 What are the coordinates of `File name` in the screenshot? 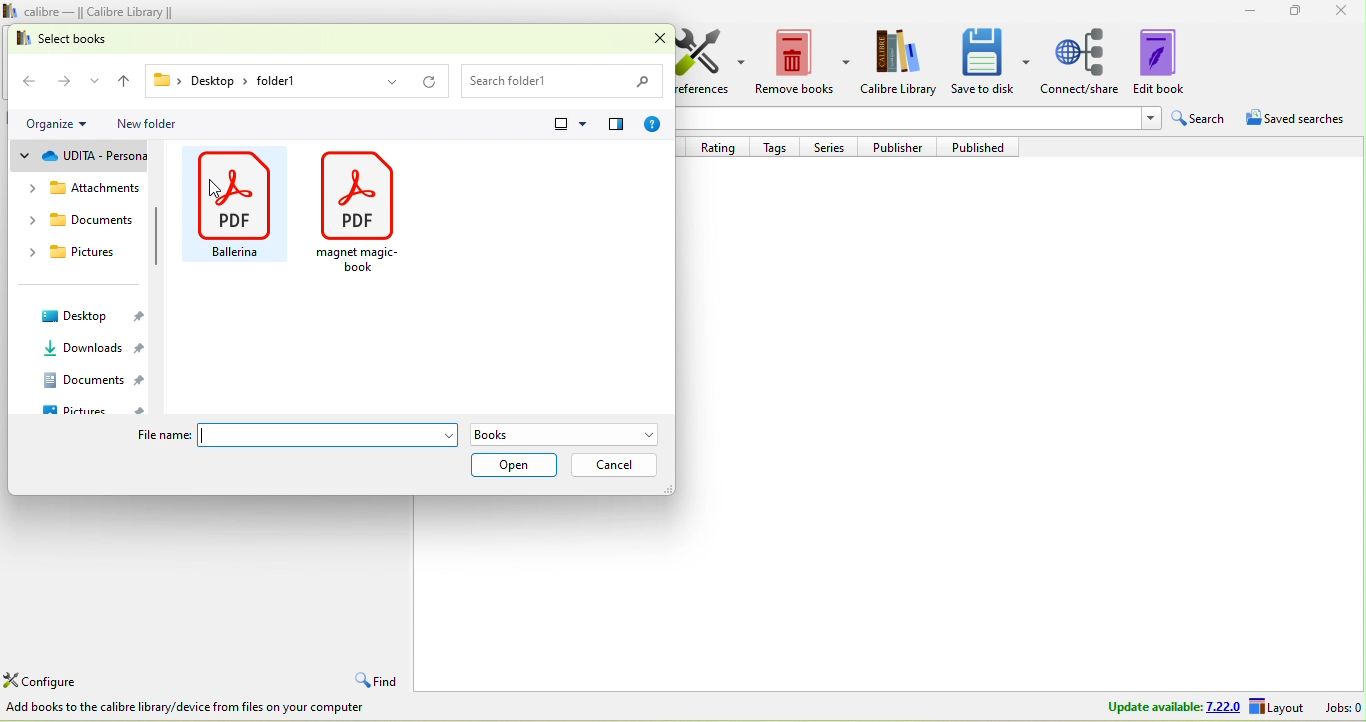 It's located at (328, 435).